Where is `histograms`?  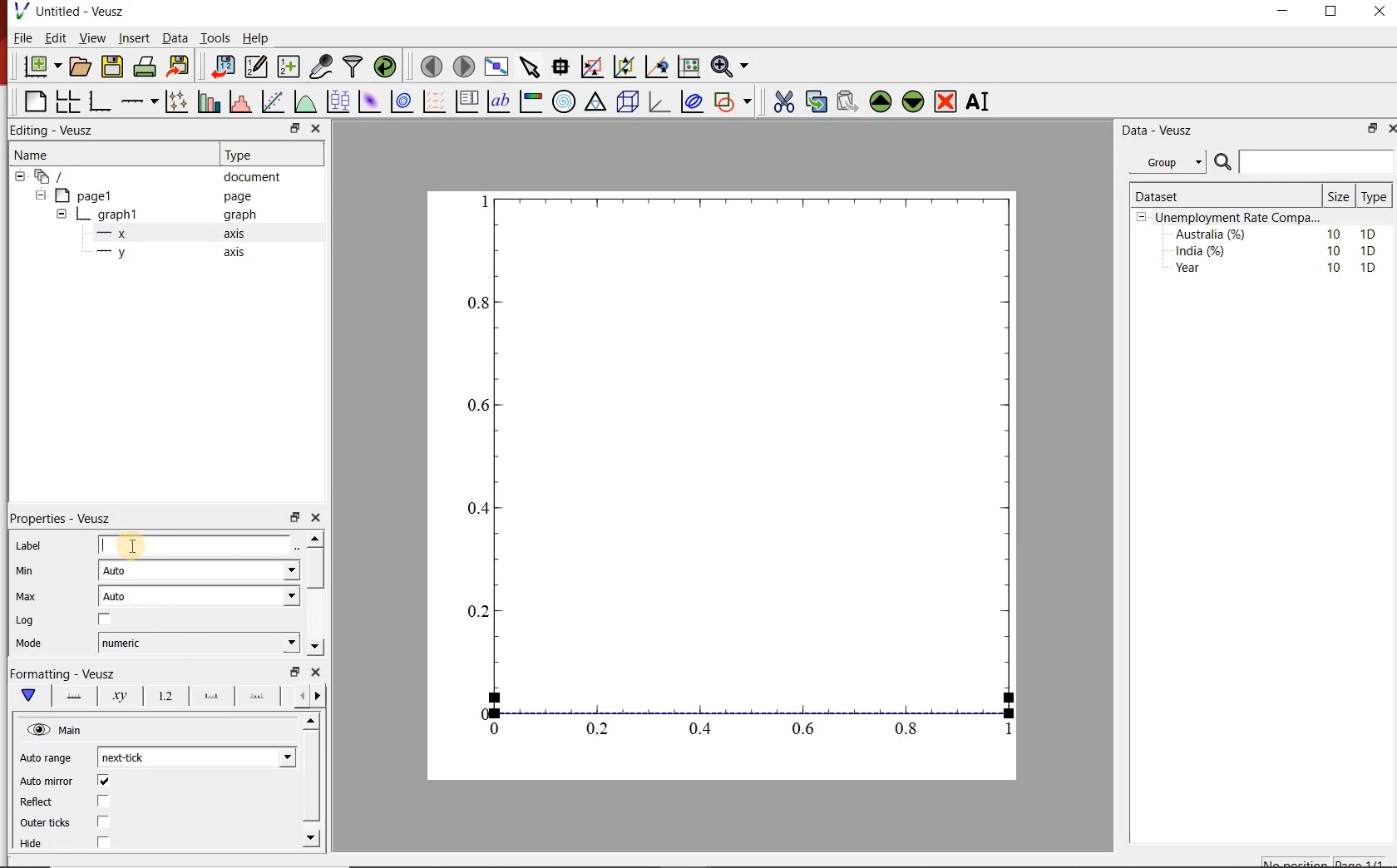
histograms is located at coordinates (239, 101).